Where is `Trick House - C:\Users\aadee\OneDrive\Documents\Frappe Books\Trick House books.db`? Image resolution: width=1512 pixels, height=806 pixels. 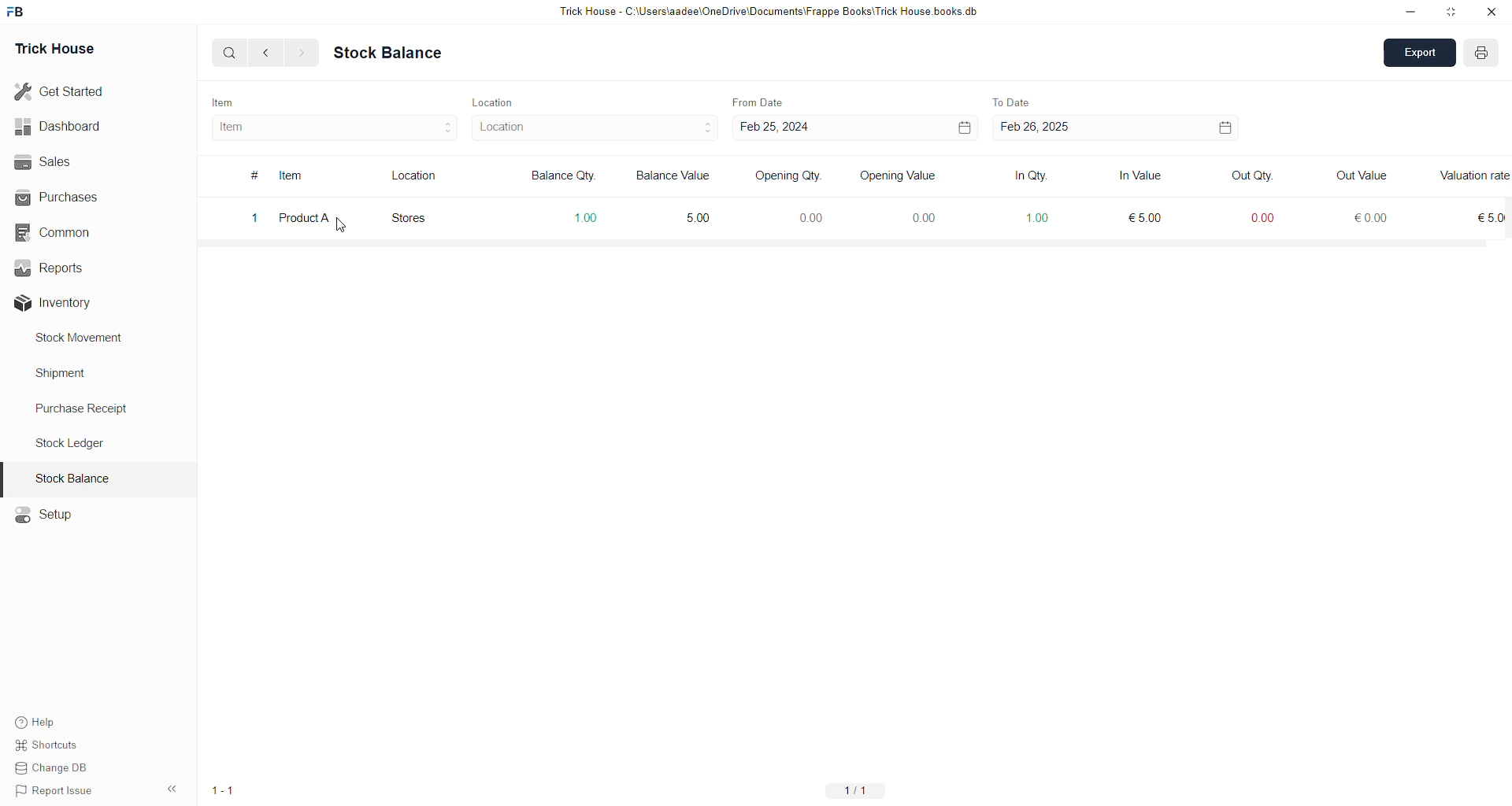 Trick House - C:\Users\aadee\OneDrive\Documents\Frappe Books\Trick House books.db is located at coordinates (769, 13).